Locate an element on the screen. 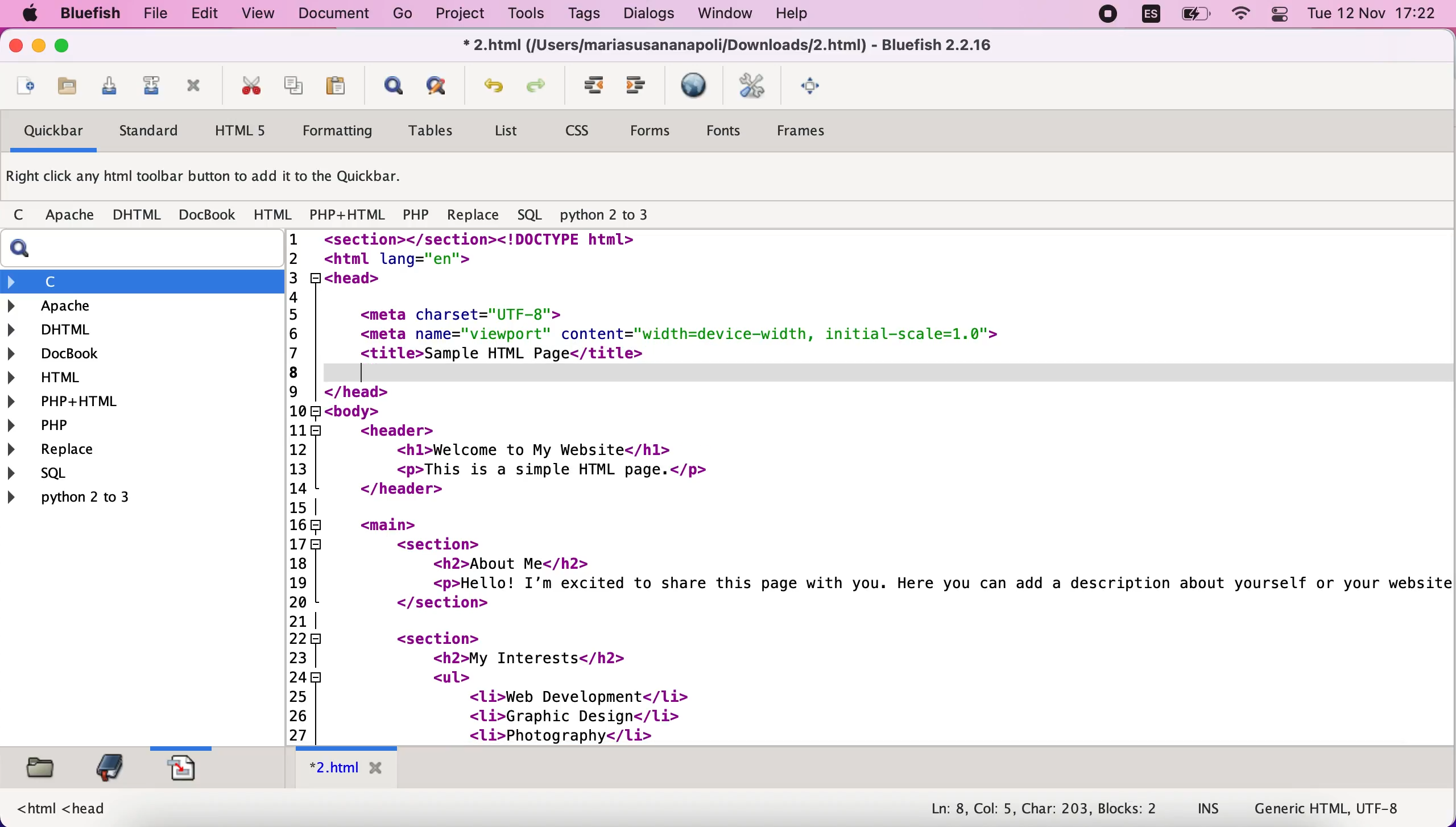  minimize is located at coordinates (39, 47).